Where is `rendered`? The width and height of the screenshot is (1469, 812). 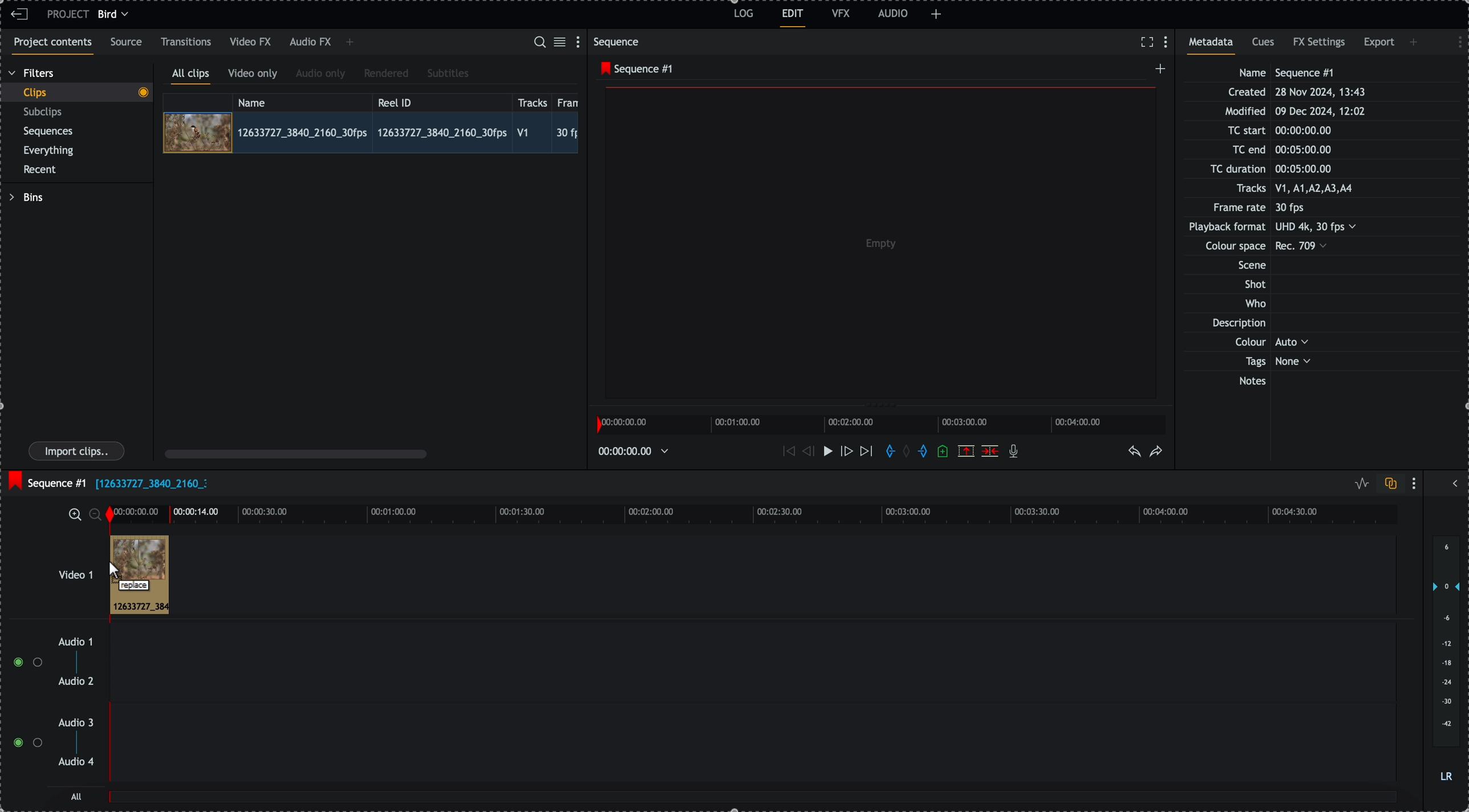 rendered is located at coordinates (386, 74).